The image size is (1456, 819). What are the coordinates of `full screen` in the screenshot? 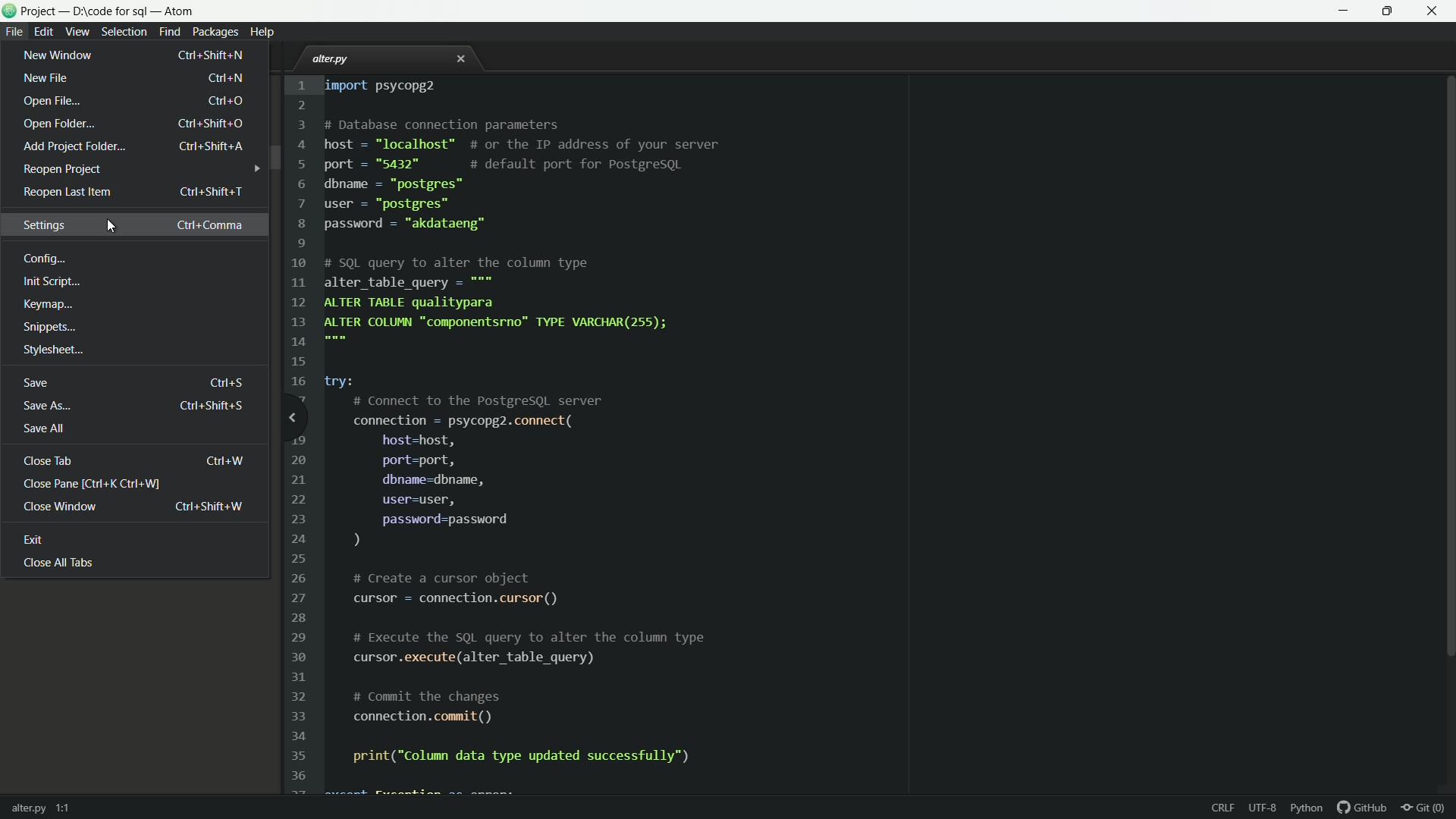 It's located at (1392, 11).